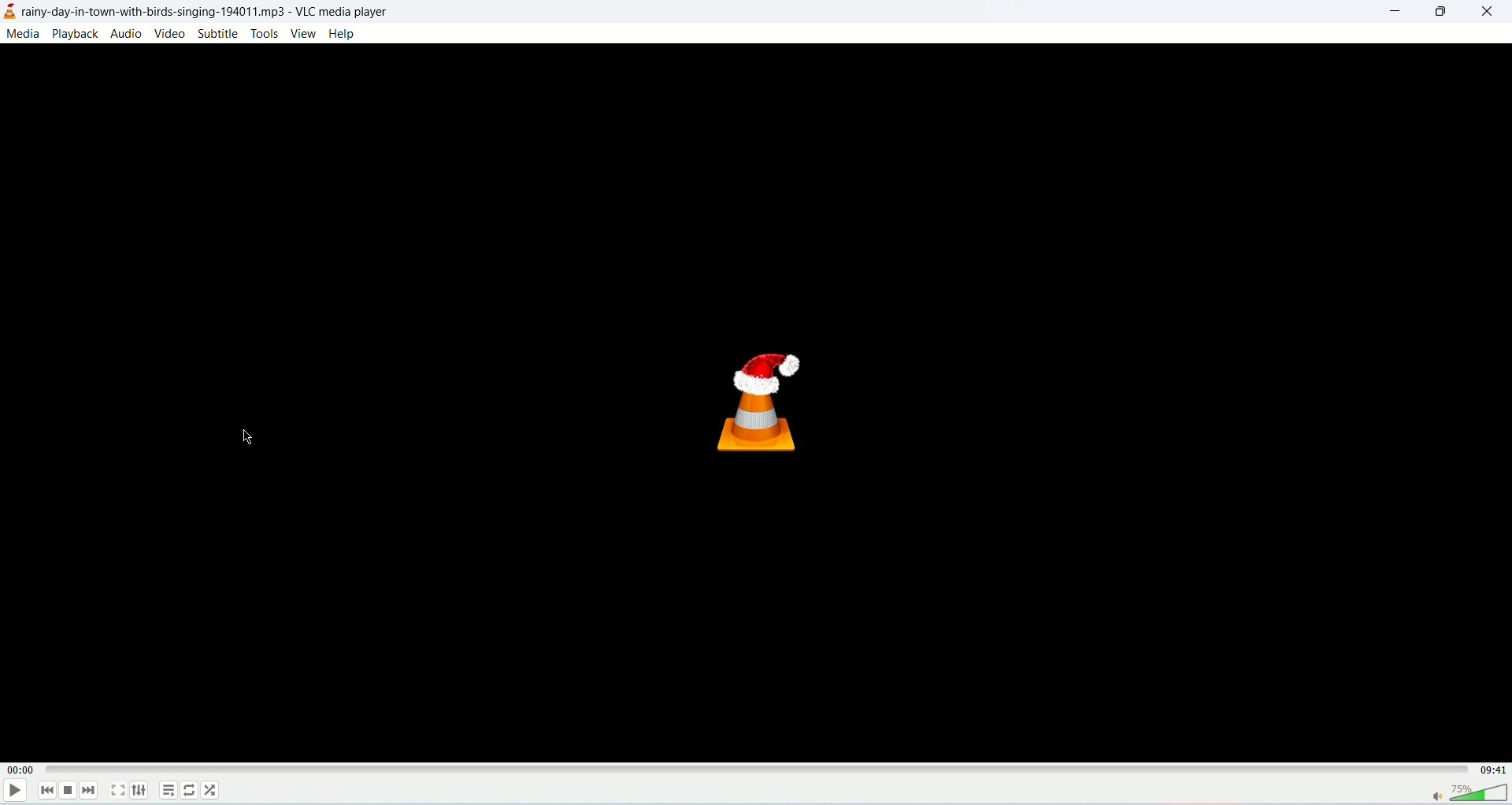  What do you see at coordinates (139, 790) in the screenshot?
I see `extended settings` at bounding box center [139, 790].